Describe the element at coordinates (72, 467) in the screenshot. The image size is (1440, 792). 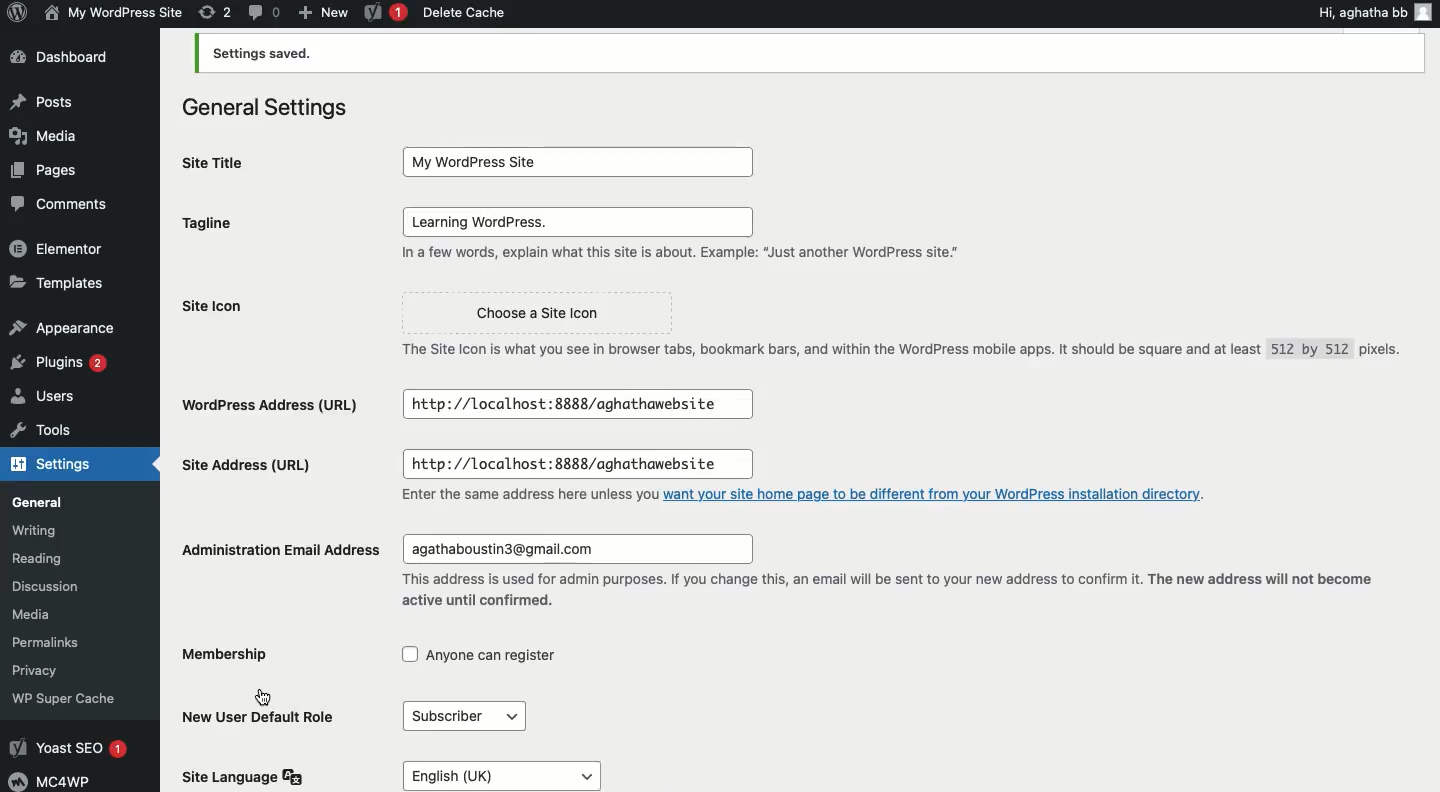
I see `Settings` at that location.